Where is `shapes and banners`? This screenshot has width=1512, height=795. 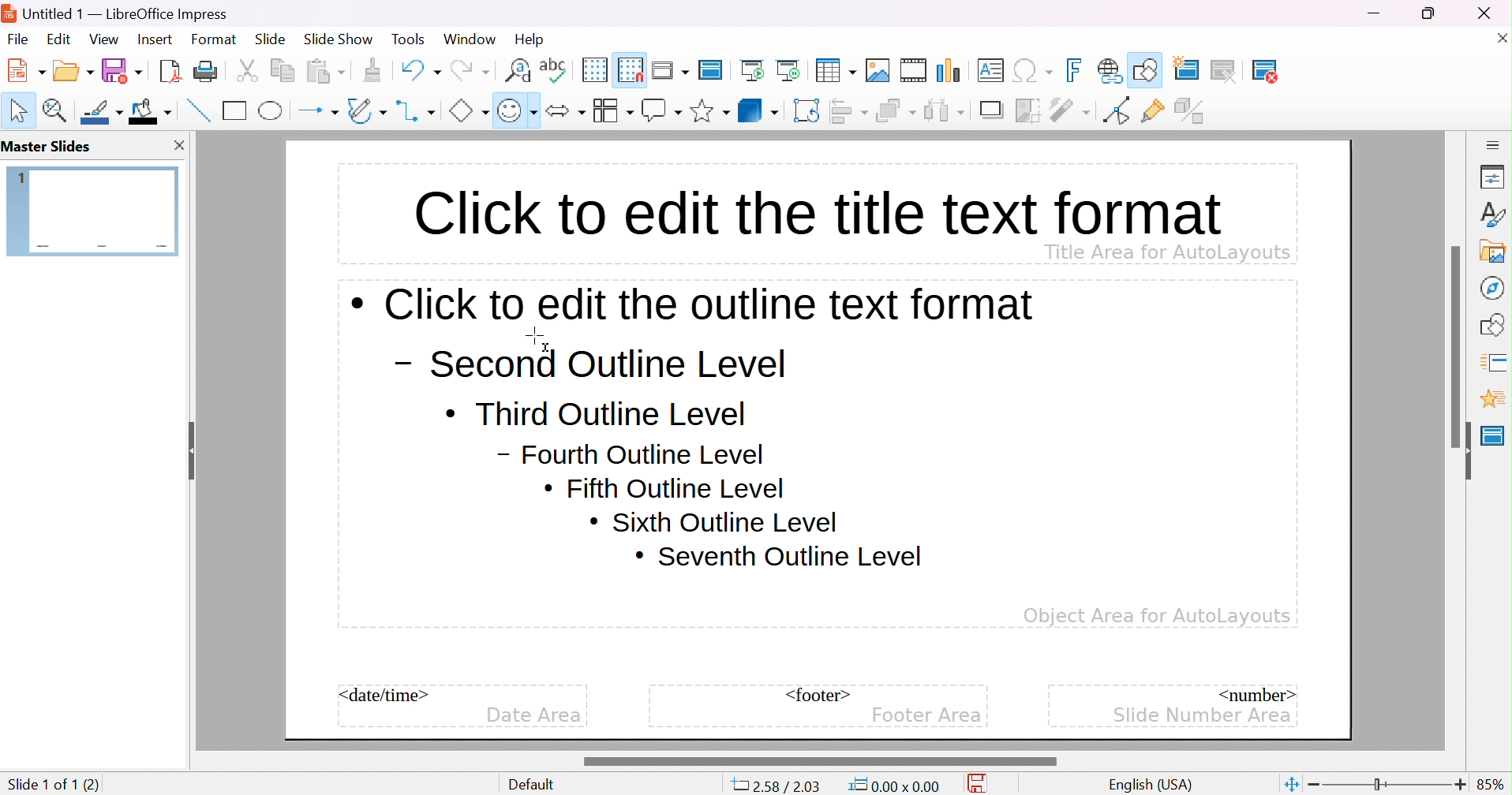
shapes and banners is located at coordinates (709, 111).